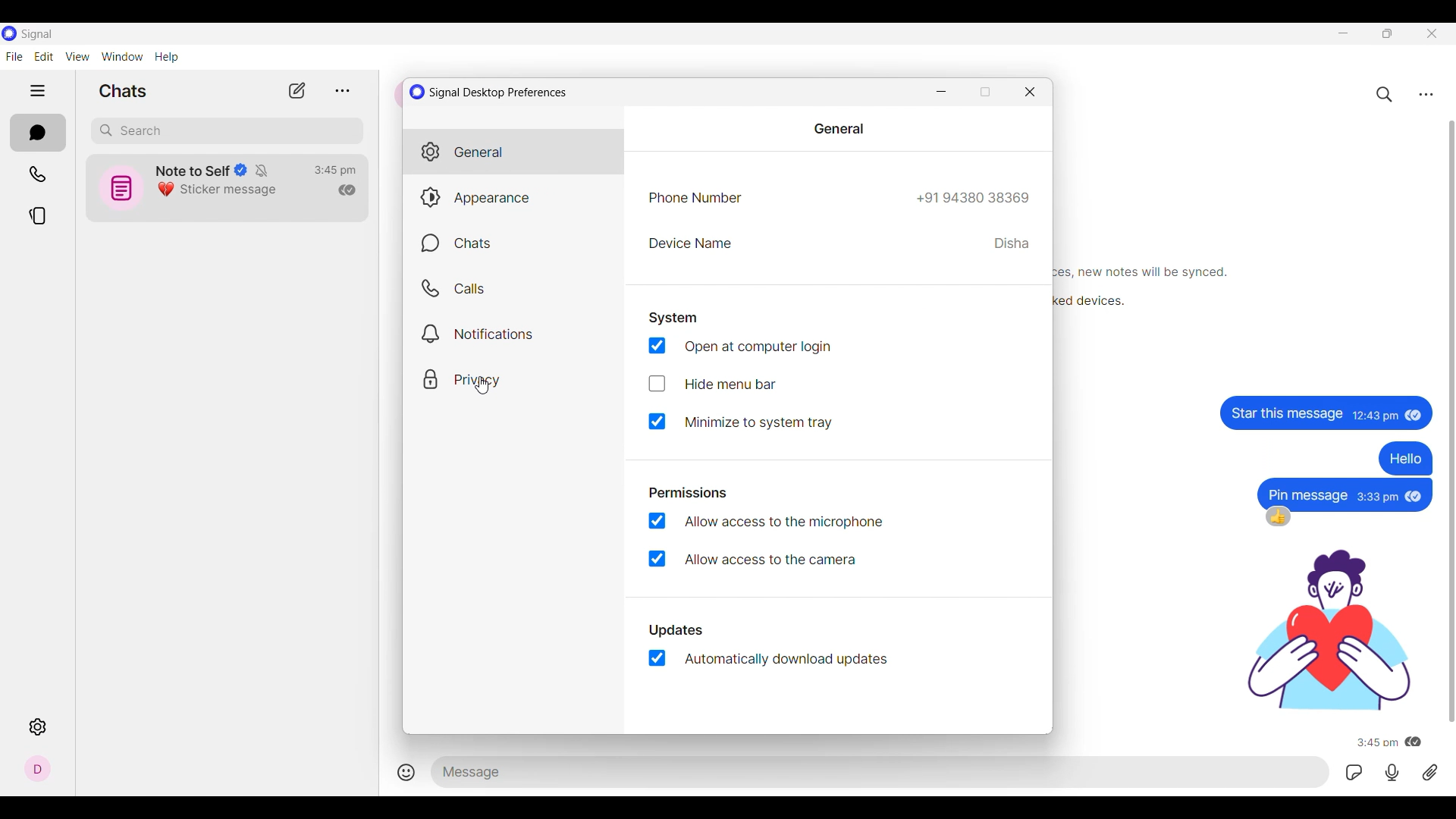 This screenshot has height=819, width=1456. Describe the element at coordinates (14, 56) in the screenshot. I see `File menu ` at that location.